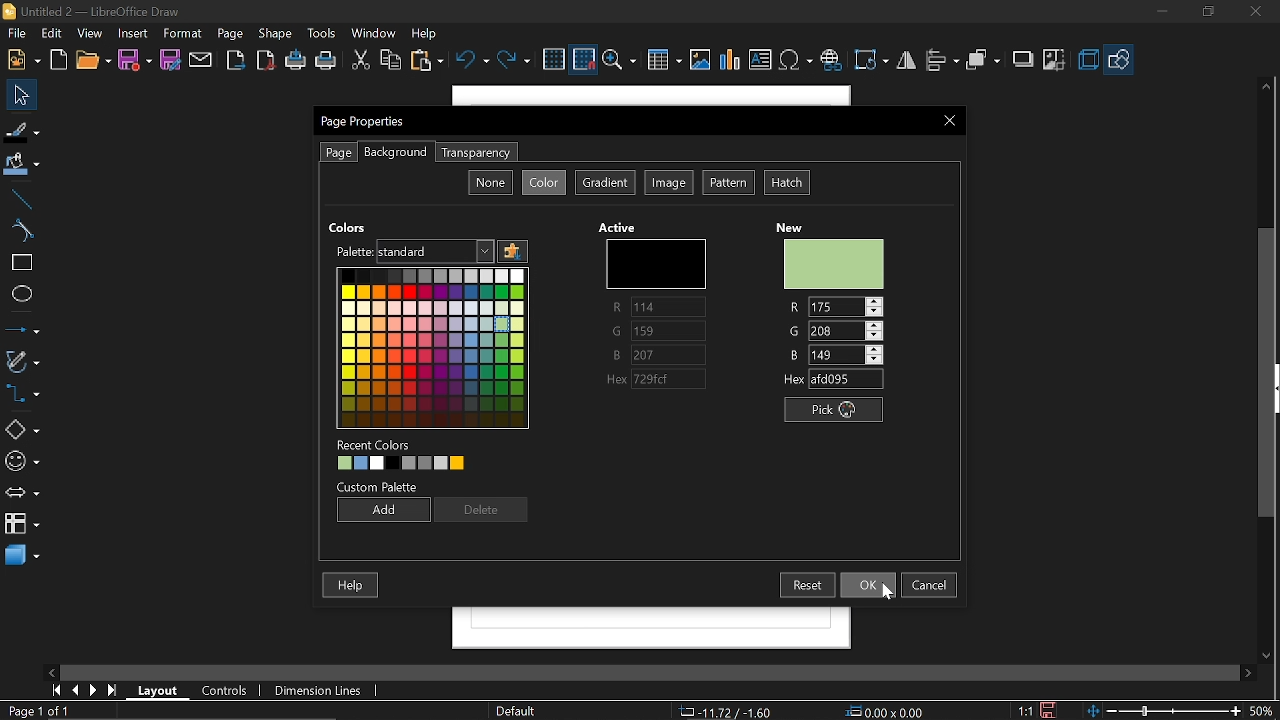 The image size is (1280, 720). I want to click on Delete, so click(482, 511).